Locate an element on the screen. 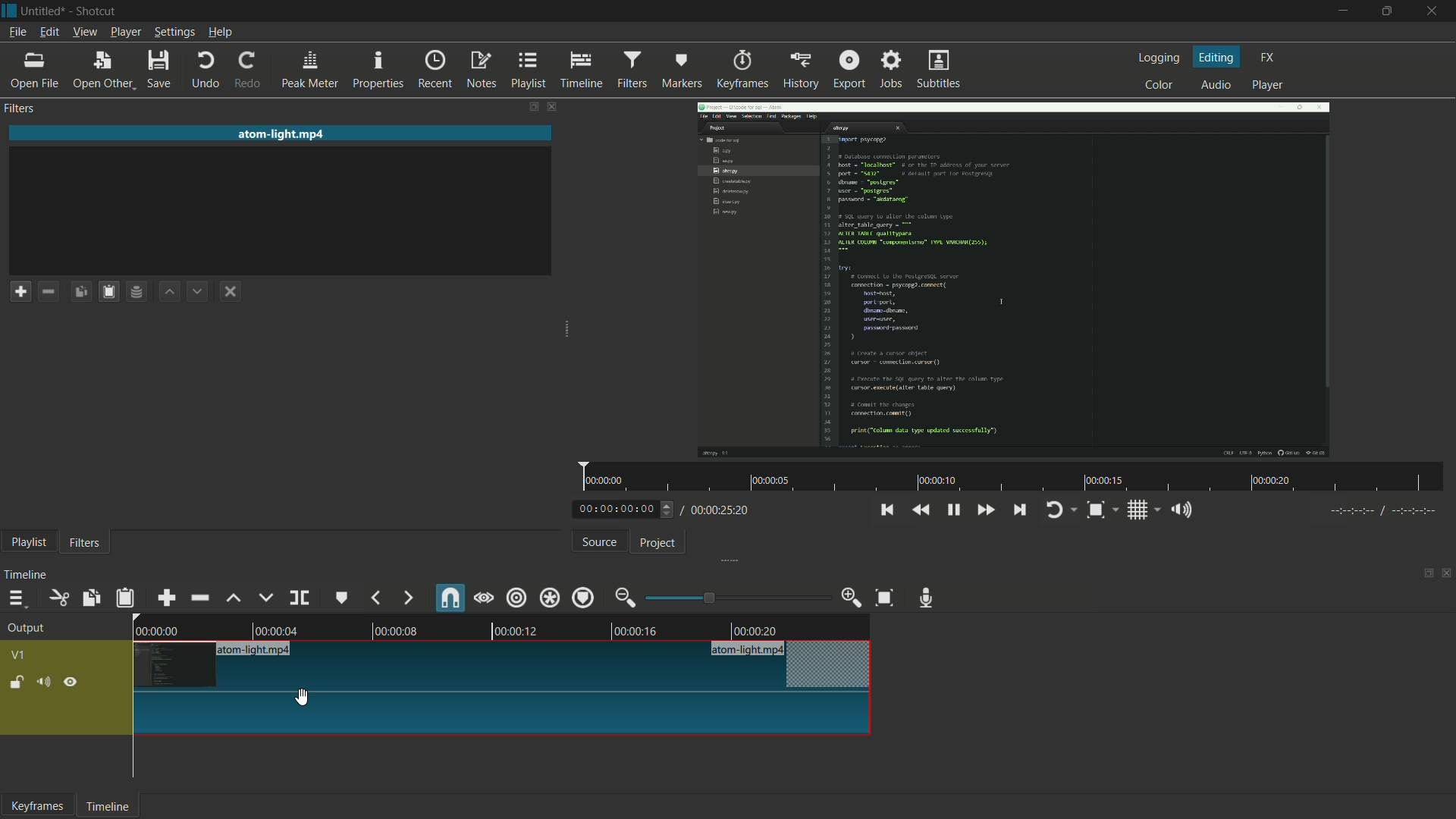  ripple marker is located at coordinates (583, 598).